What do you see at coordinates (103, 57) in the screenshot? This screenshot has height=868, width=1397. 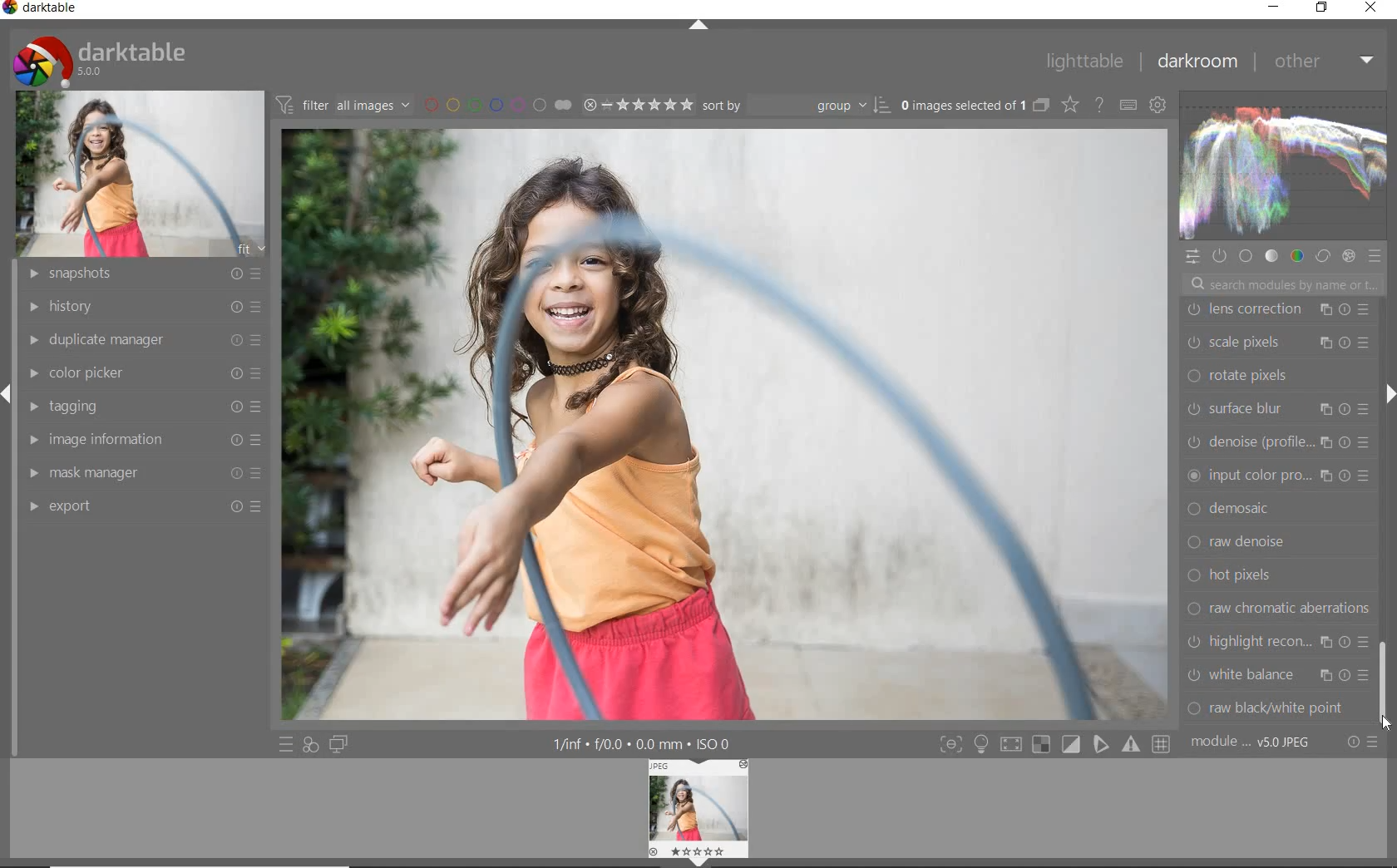 I see `system logo & name` at bounding box center [103, 57].